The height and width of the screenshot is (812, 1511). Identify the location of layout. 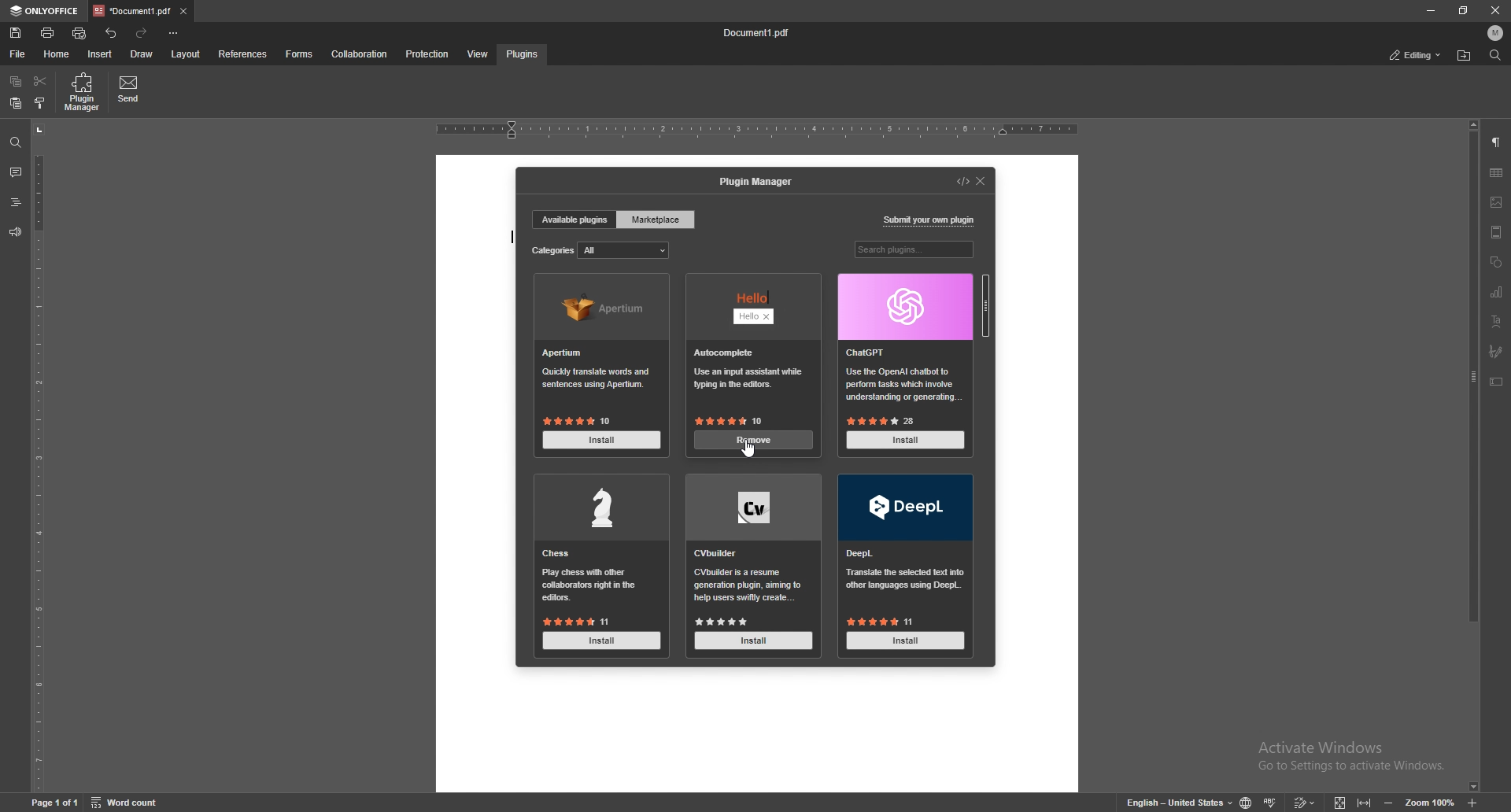
(185, 54).